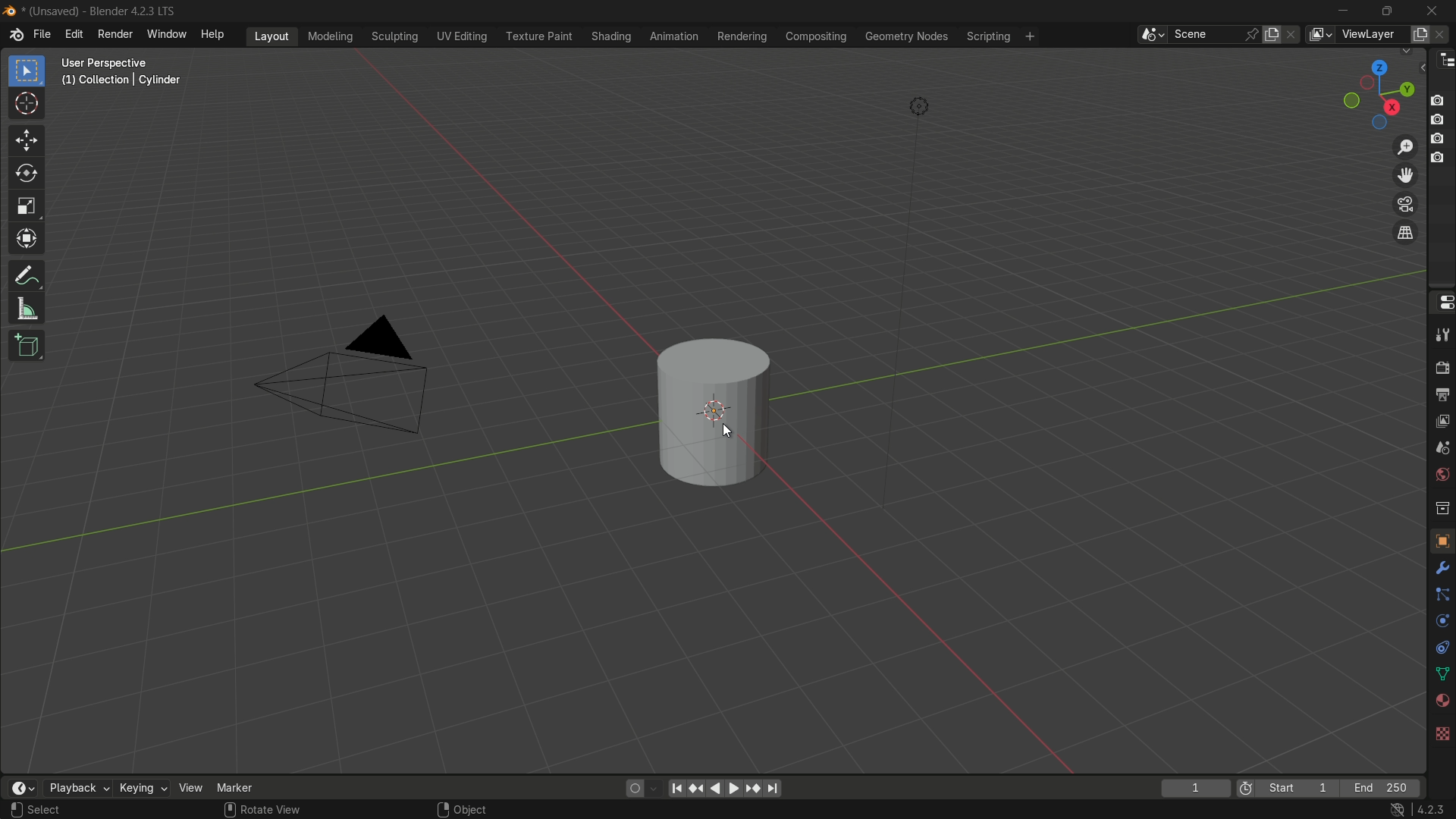 This screenshot has height=819, width=1456. Describe the element at coordinates (227, 808) in the screenshot. I see `scroll` at that location.